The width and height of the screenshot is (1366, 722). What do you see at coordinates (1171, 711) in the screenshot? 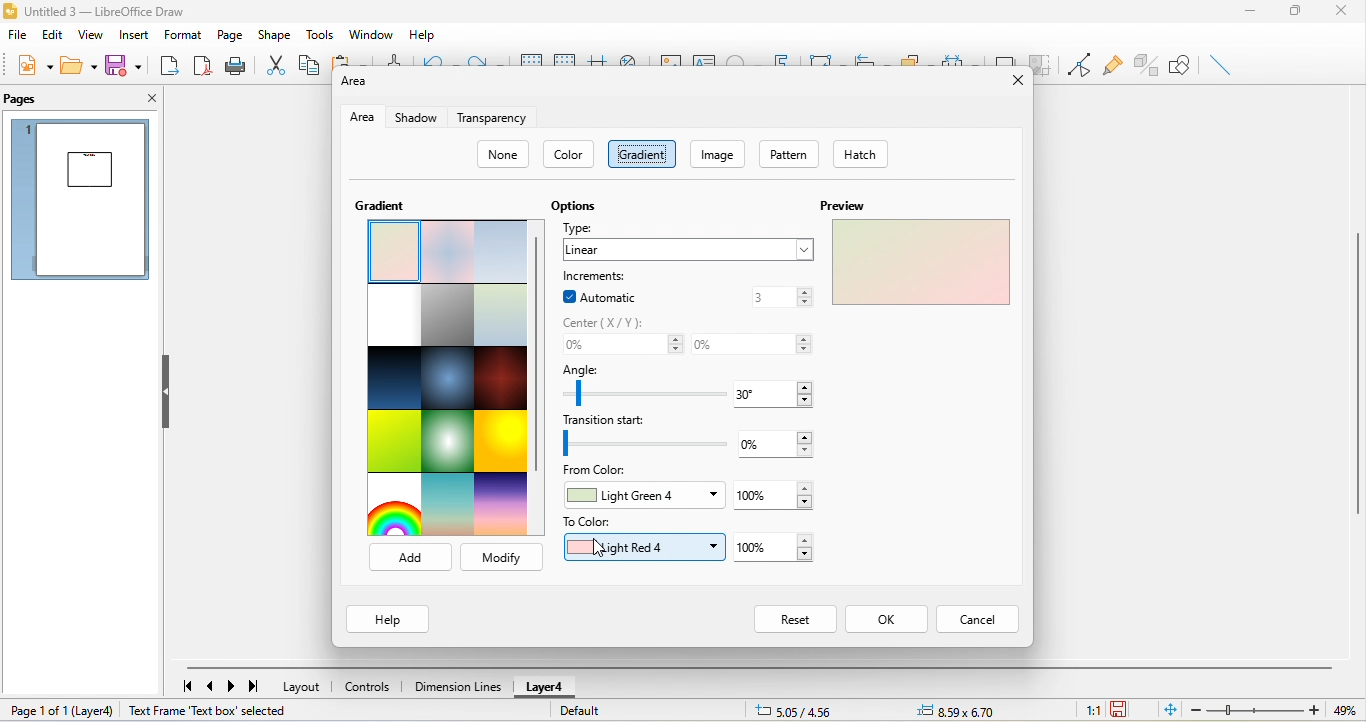
I see `fit to the current page` at bounding box center [1171, 711].